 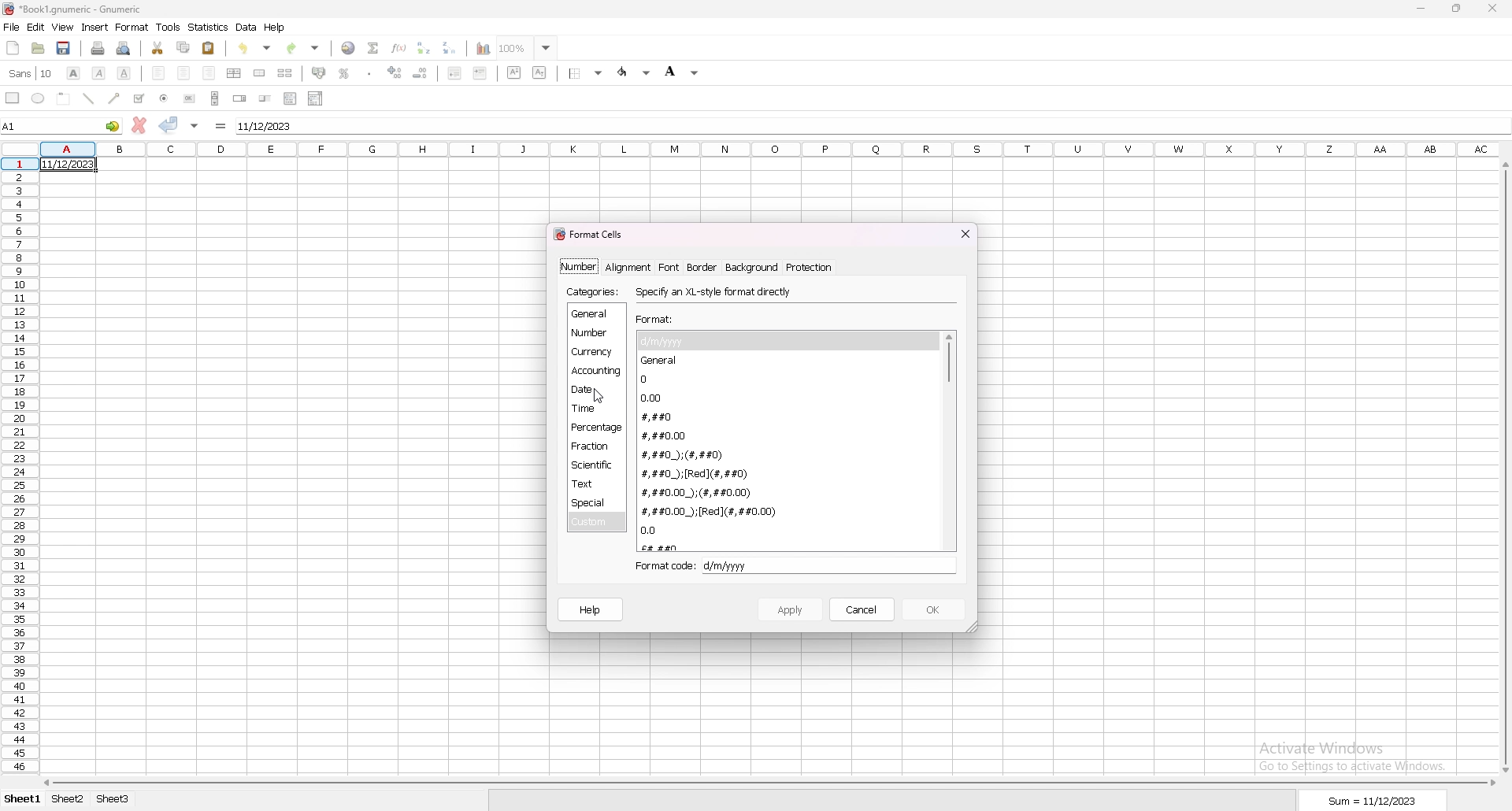 I want to click on statistics, so click(x=209, y=27).